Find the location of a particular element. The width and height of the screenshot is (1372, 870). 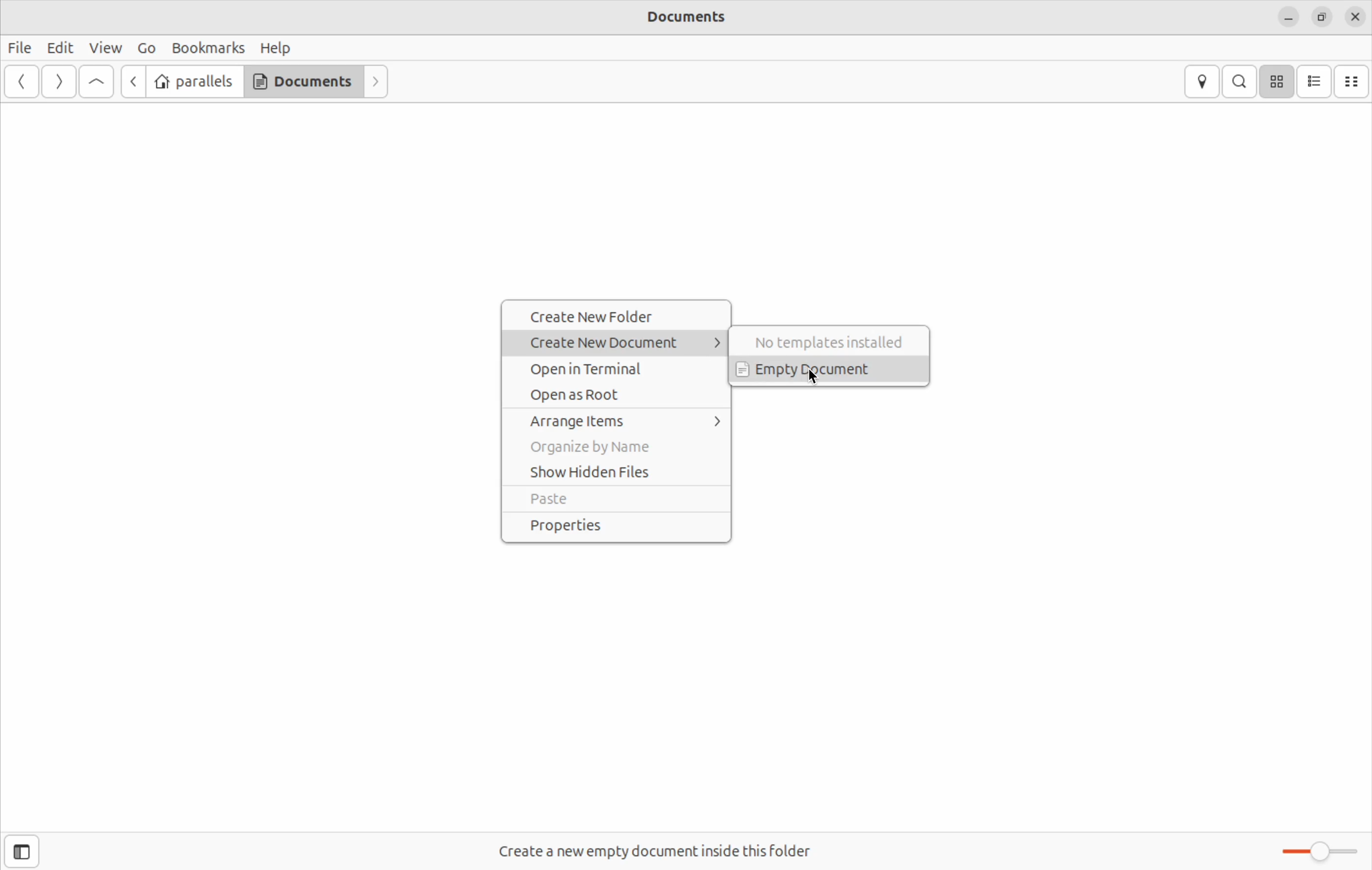

back is located at coordinates (130, 81).